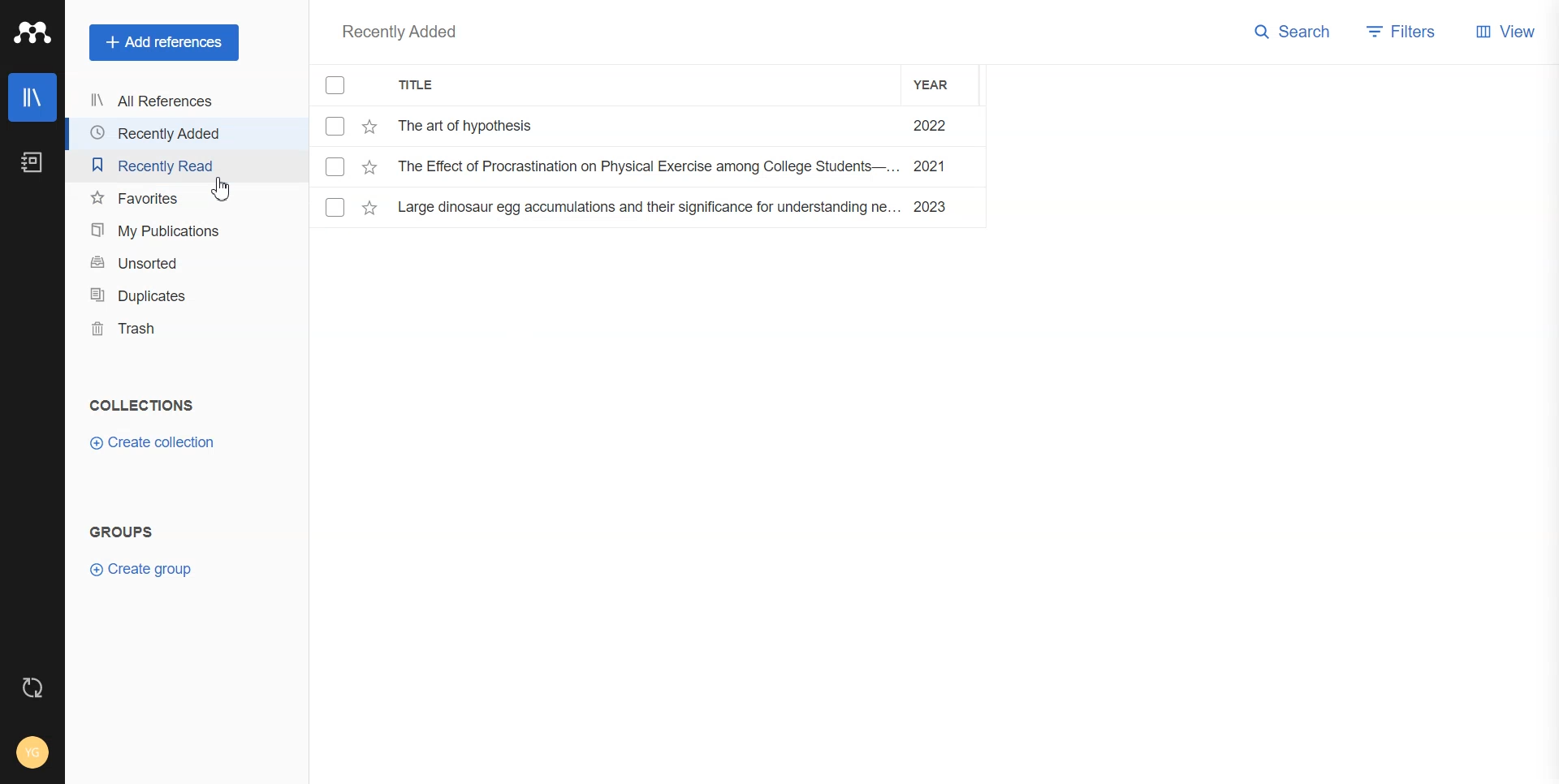 The width and height of the screenshot is (1559, 784). I want to click on Logo, so click(32, 33).